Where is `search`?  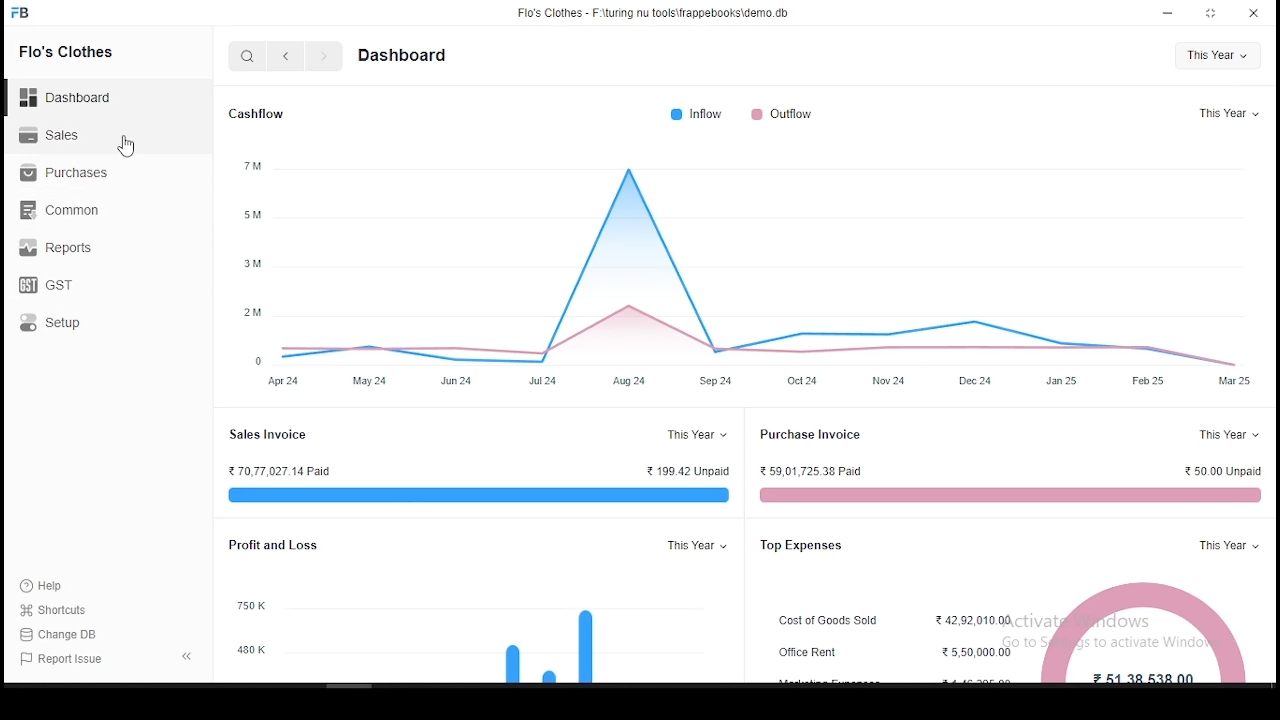 search is located at coordinates (247, 55).